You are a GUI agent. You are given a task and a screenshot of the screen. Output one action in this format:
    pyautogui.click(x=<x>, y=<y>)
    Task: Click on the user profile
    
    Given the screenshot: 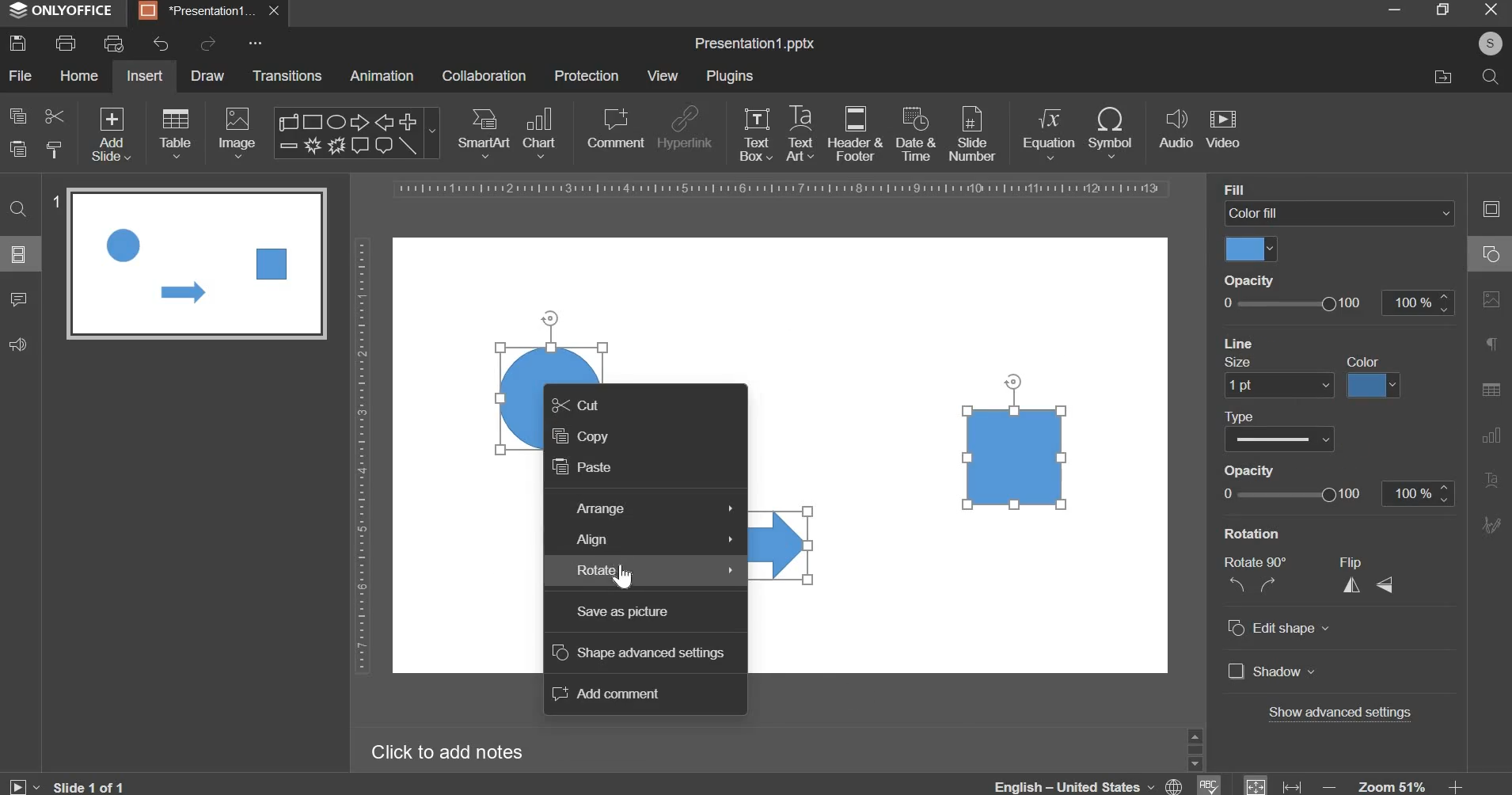 What is the action you would take?
    pyautogui.click(x=1486, y=45)
    